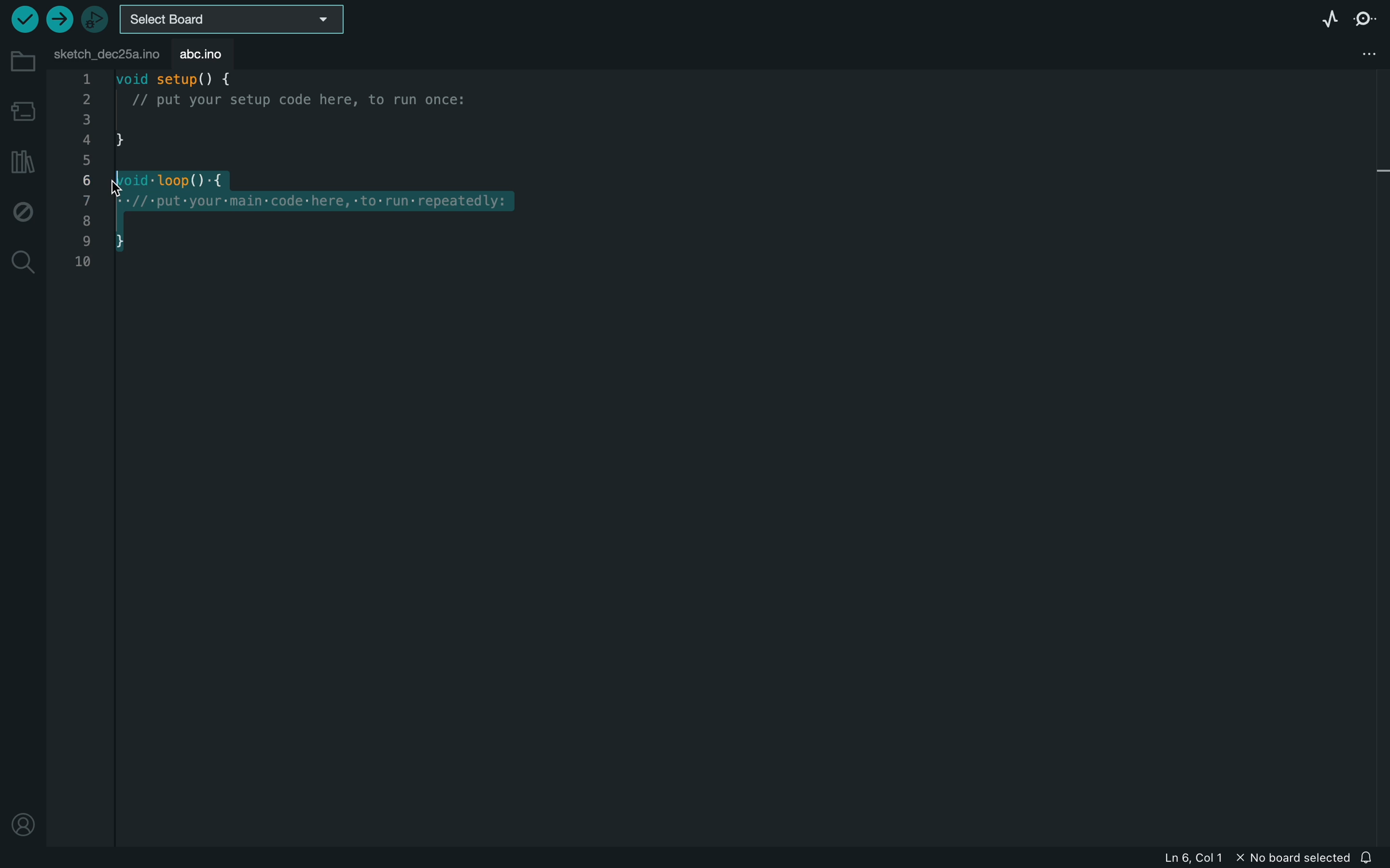  What do you see at coordinates (1244, 858) in the screenshot?
I see `file  information` at bounding box center [1244, 858].